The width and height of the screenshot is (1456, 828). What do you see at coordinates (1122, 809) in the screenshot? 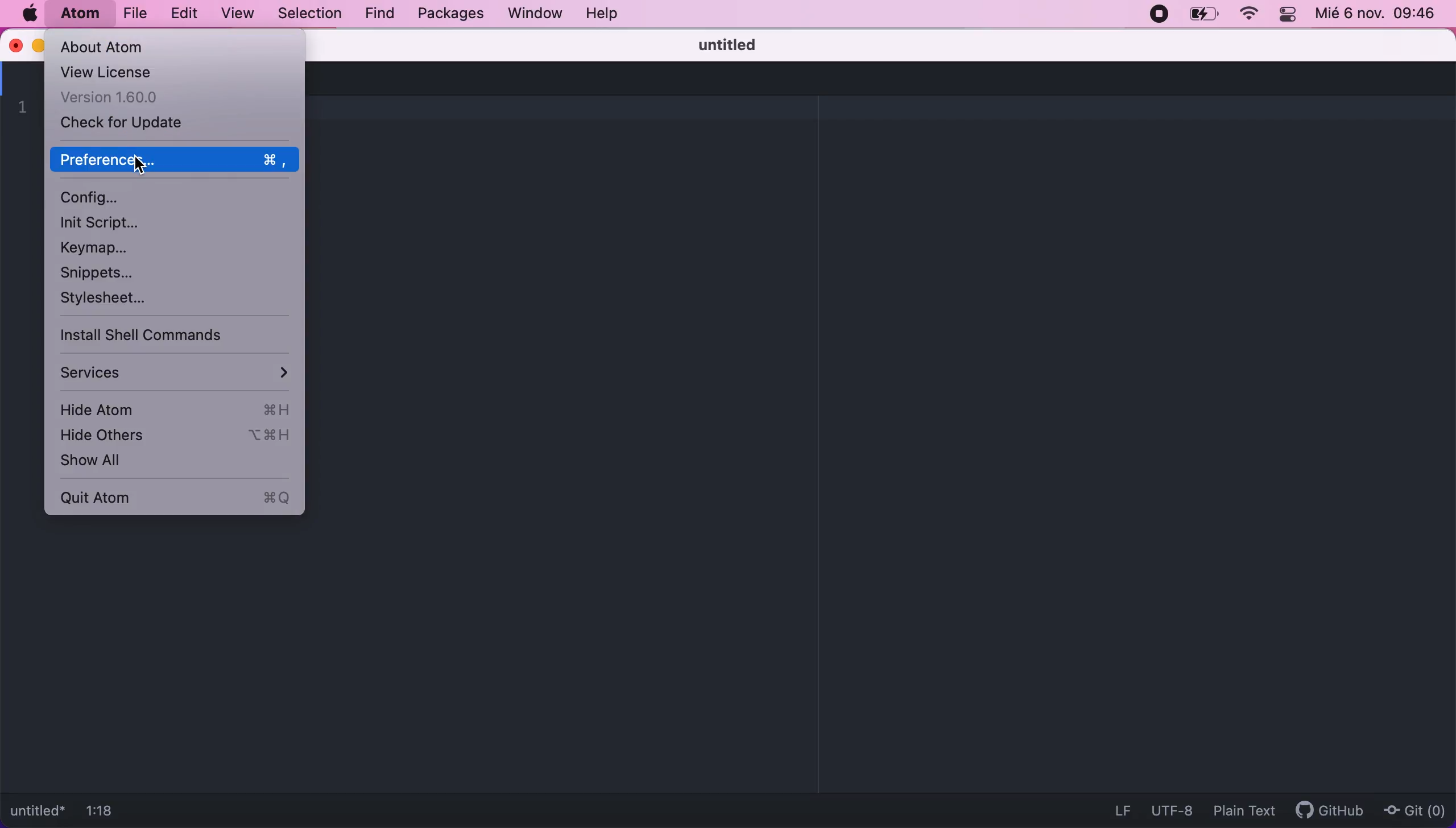
I see `LF` at bounding box center [1122, 809].